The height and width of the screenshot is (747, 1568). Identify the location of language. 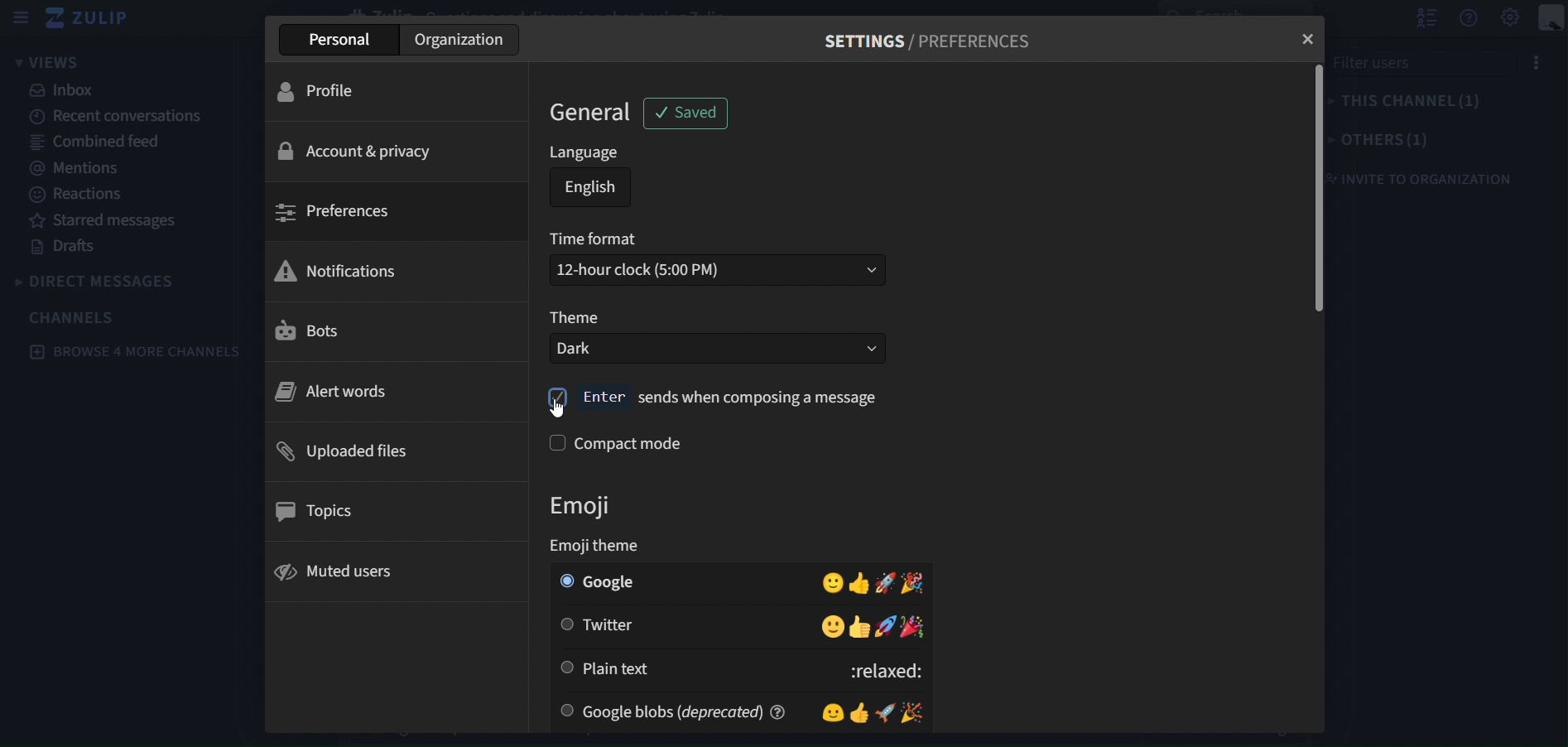
(587, 153).